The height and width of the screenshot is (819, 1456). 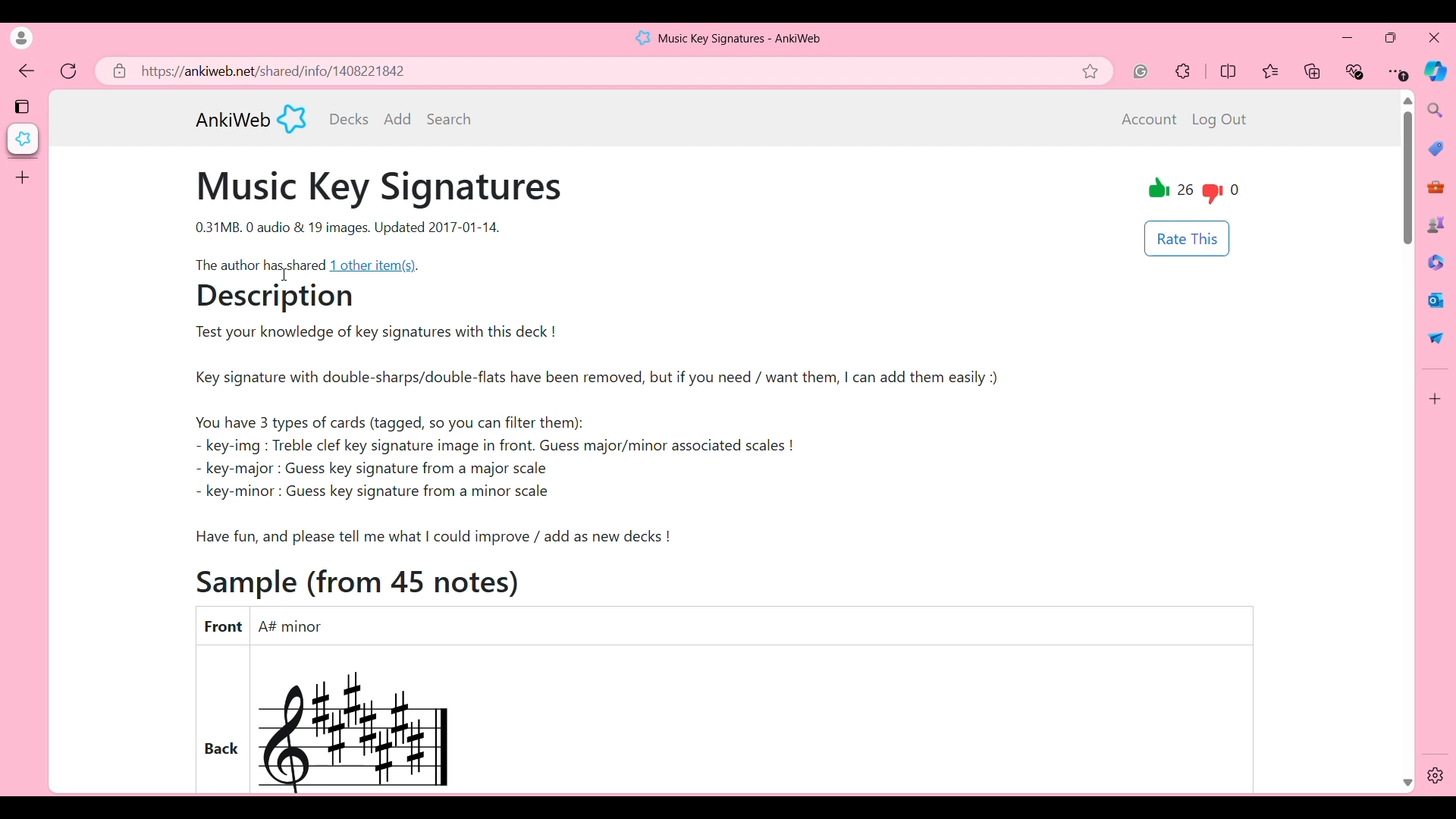 What do you see at coordinates (222, 719) in the screenshot?
I see `Back` at bounding box center [222, 719].